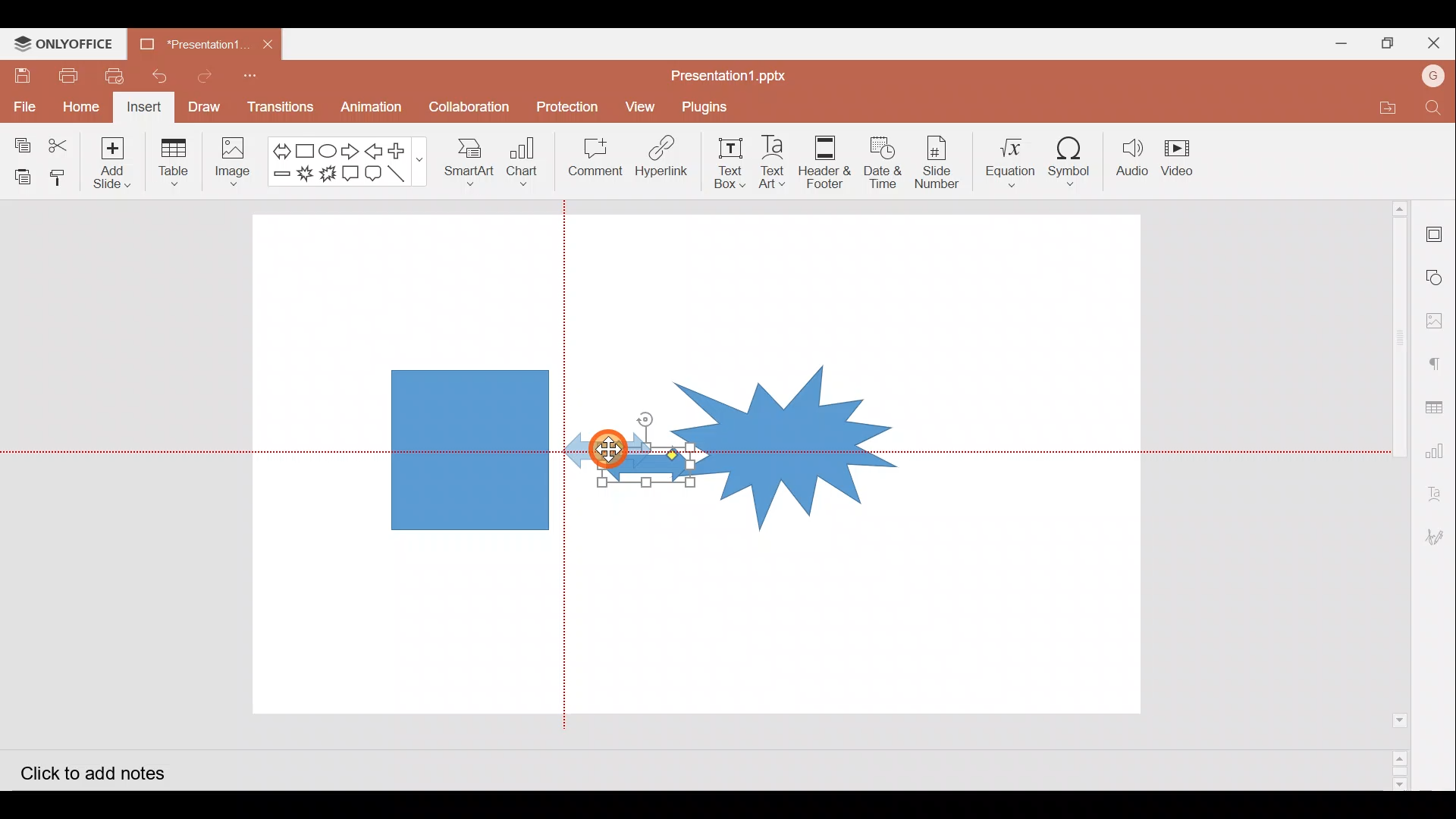 The width and height of the screenshot is (1456, 819). I want to click on File, so click(24, 104).